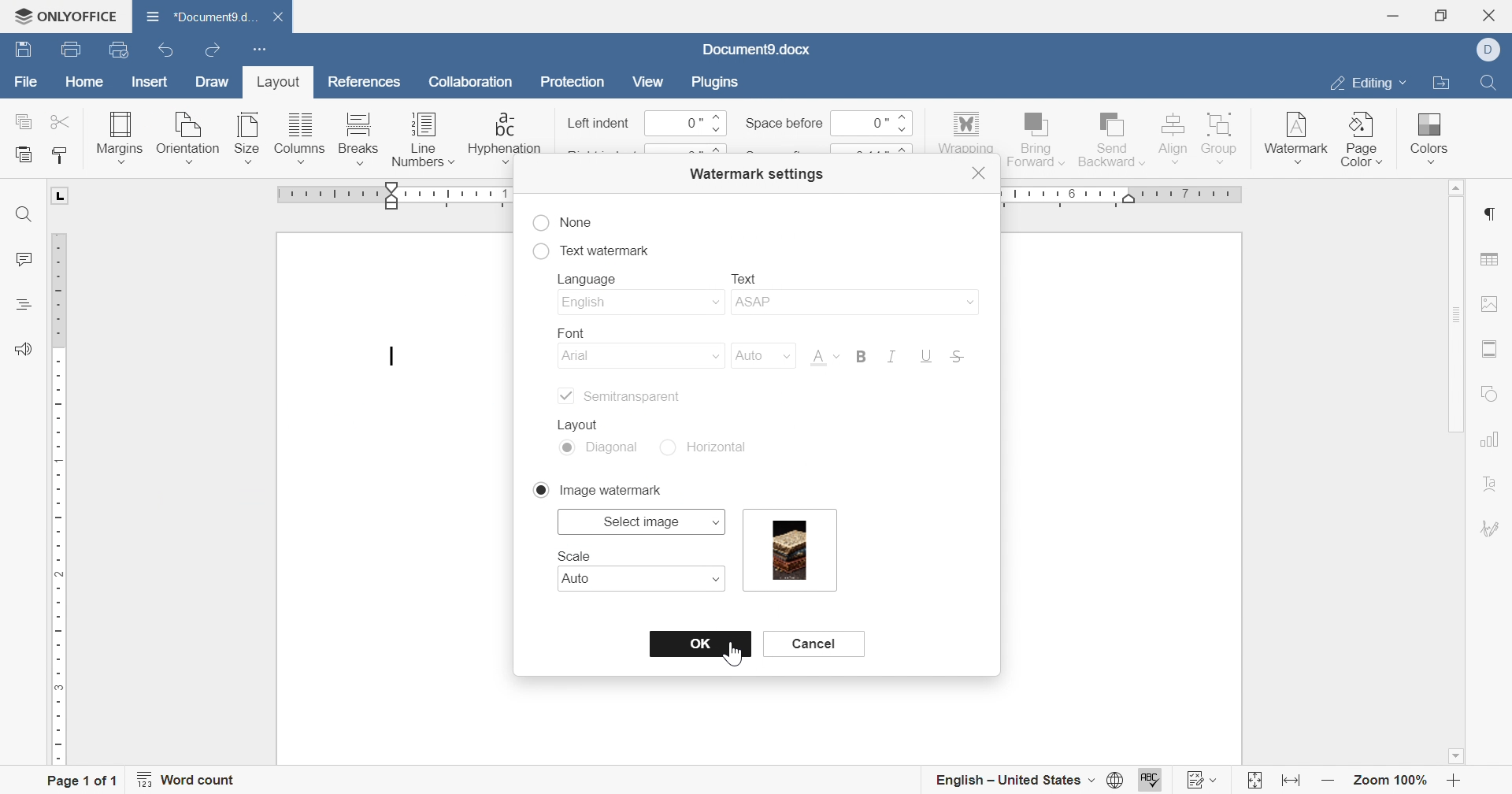  Describe the element at coordinates (595, 489) in the screenshot. I see `image watermark` at that location.